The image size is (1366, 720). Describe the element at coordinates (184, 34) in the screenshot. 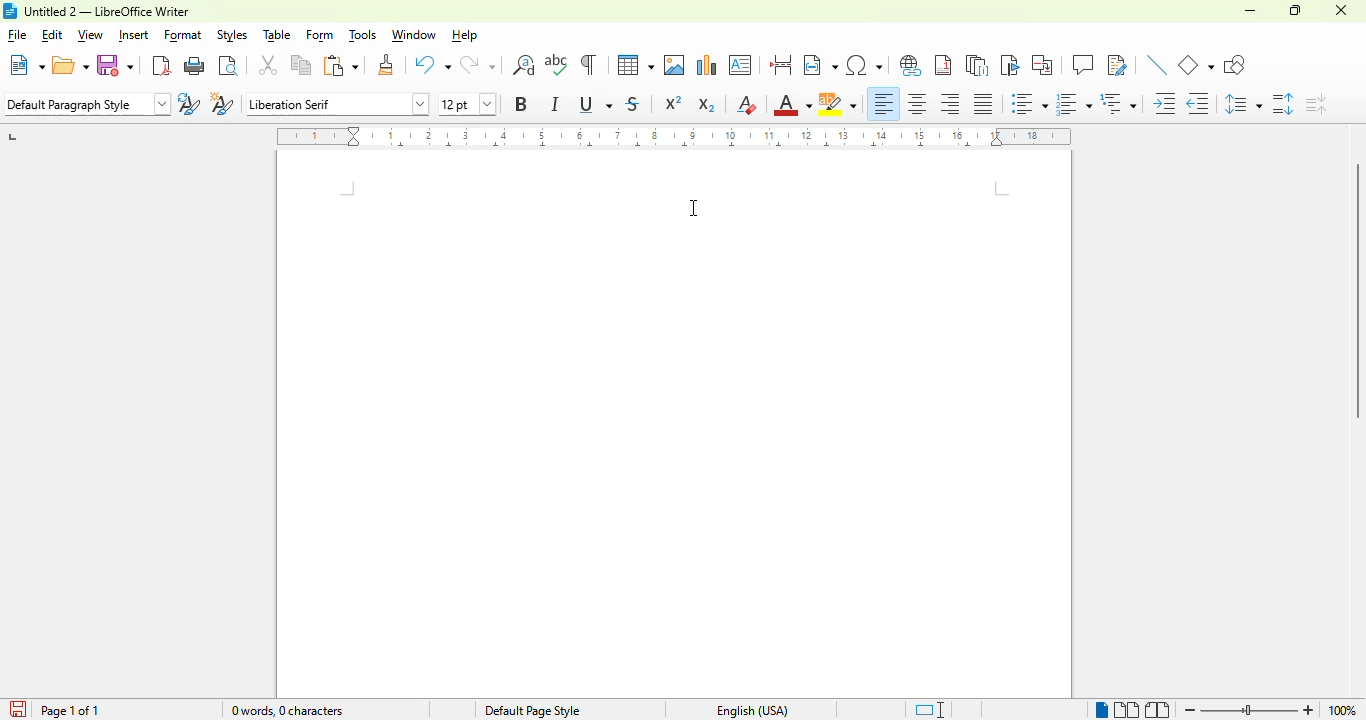

I see `format` at that location.